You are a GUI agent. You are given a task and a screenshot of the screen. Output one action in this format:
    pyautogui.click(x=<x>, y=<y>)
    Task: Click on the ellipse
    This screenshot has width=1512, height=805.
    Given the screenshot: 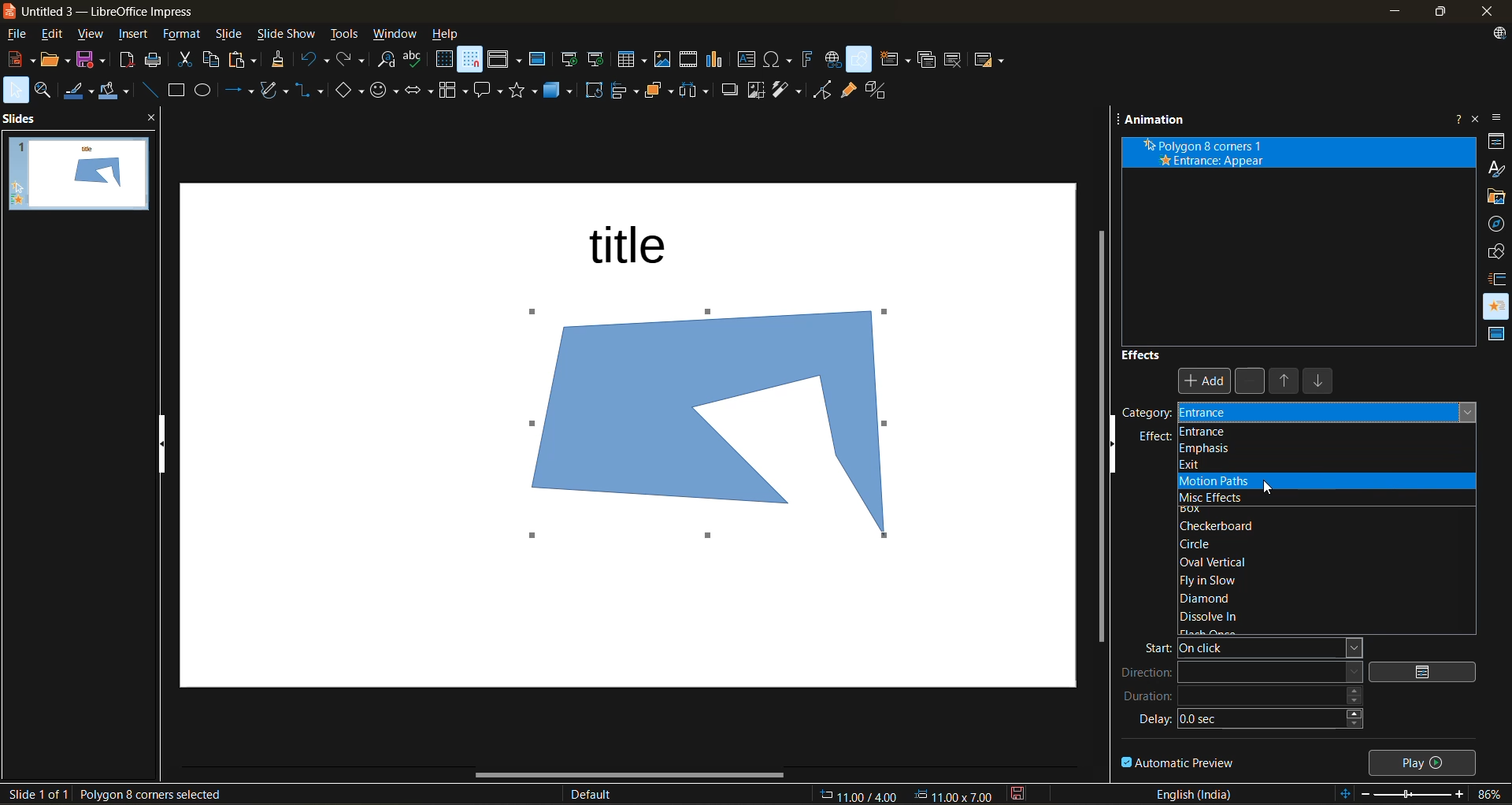 What is the action you would take?
    pyautogui.click(x=206, y=91)
    